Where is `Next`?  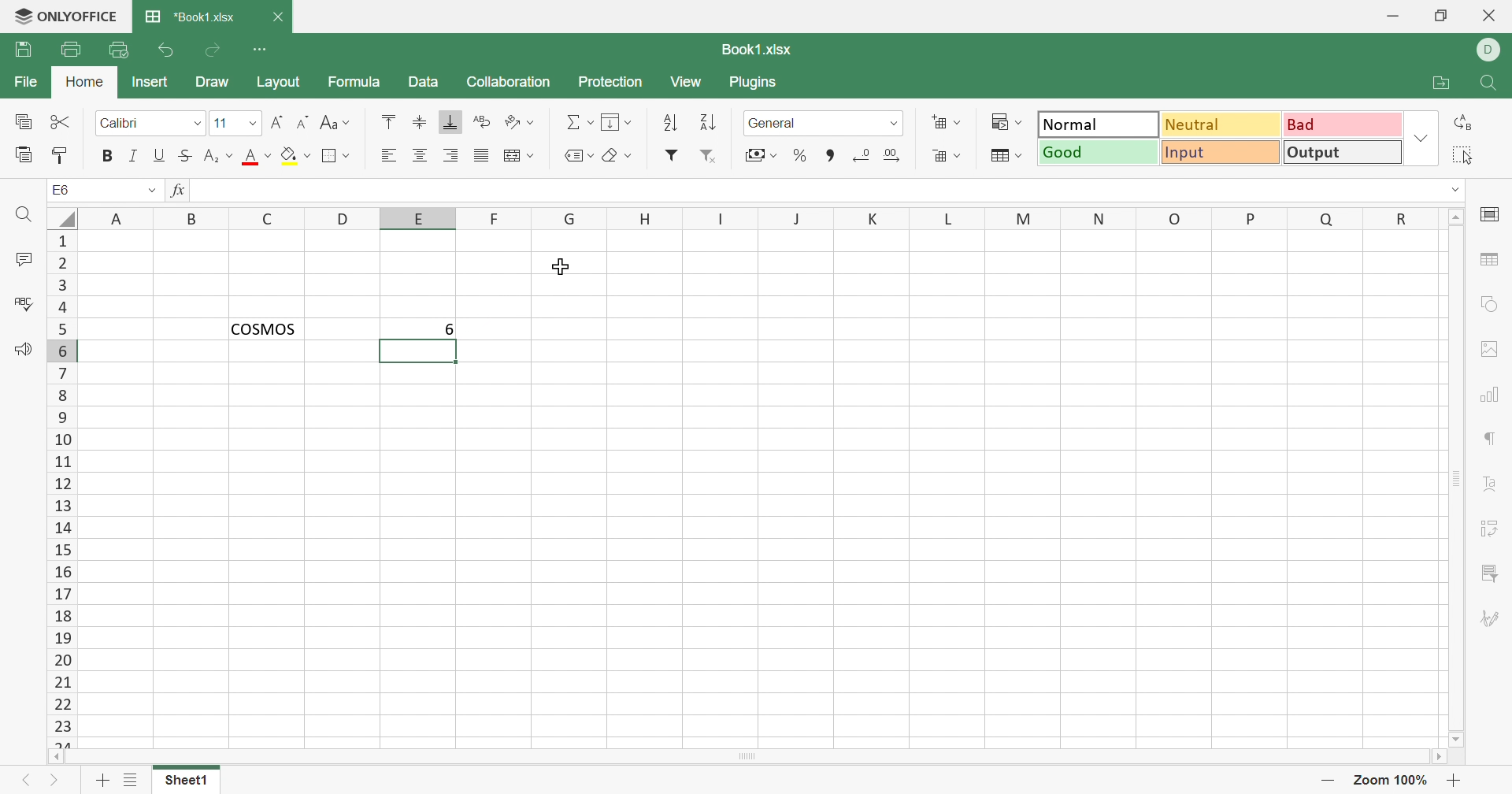 Next is located at coordinates (55, 783).